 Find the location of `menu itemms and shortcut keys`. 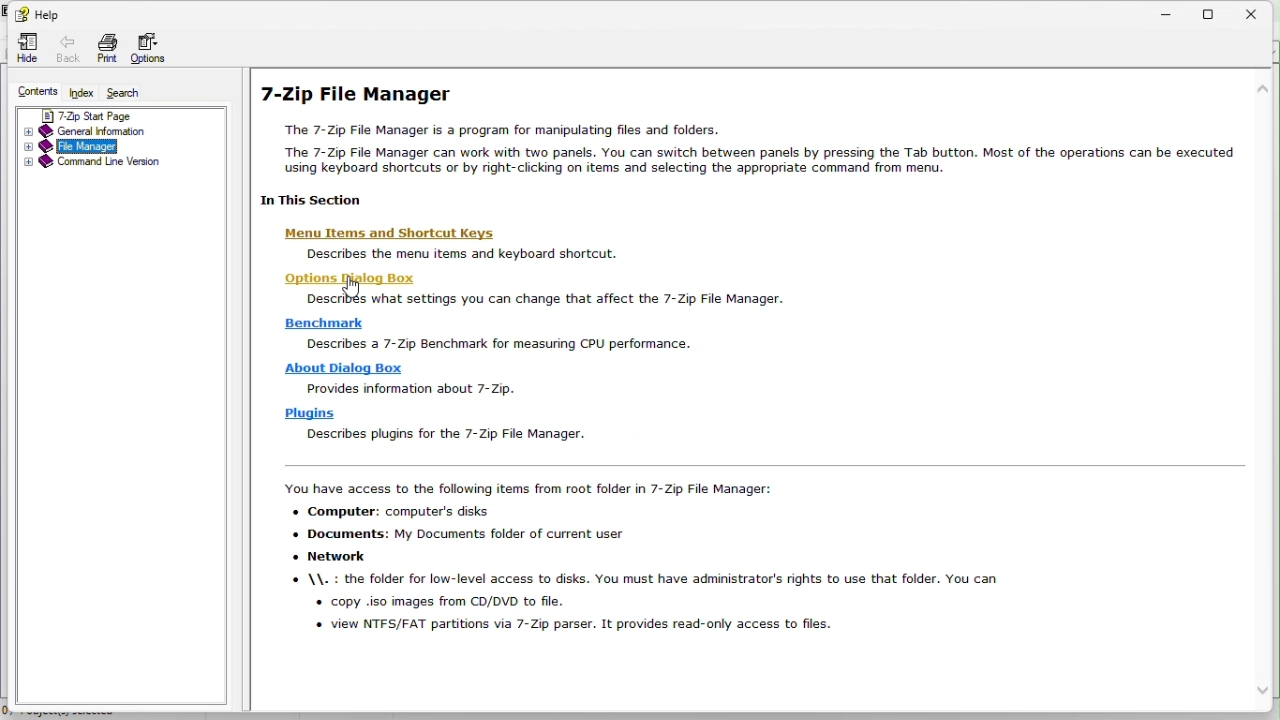

menu itemms and shortcut keys is located at coordinates (407, 235).